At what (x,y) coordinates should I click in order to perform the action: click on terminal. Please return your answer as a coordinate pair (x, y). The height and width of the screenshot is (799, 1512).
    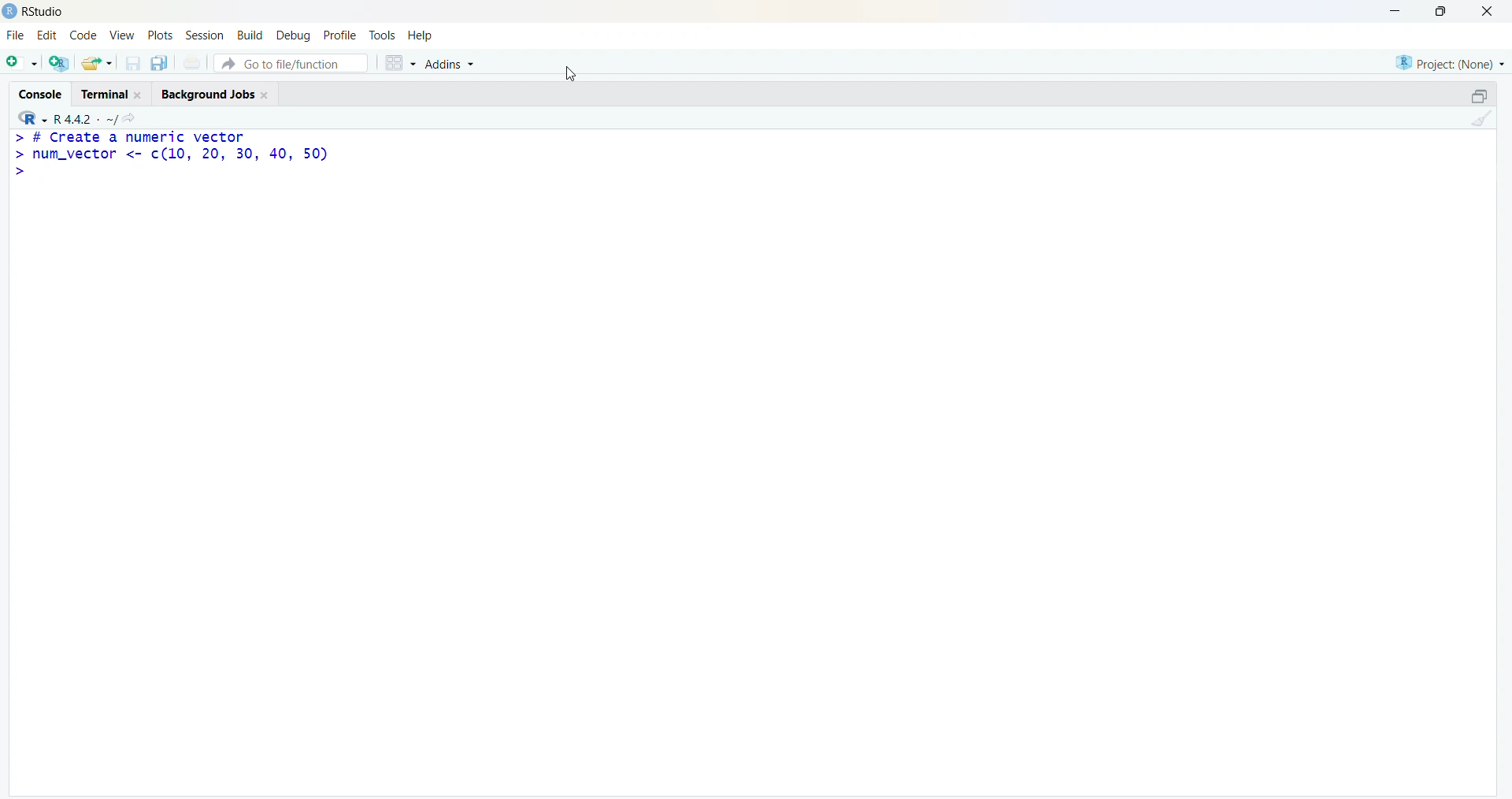
    Looking at the image, I should click on (106, 95).